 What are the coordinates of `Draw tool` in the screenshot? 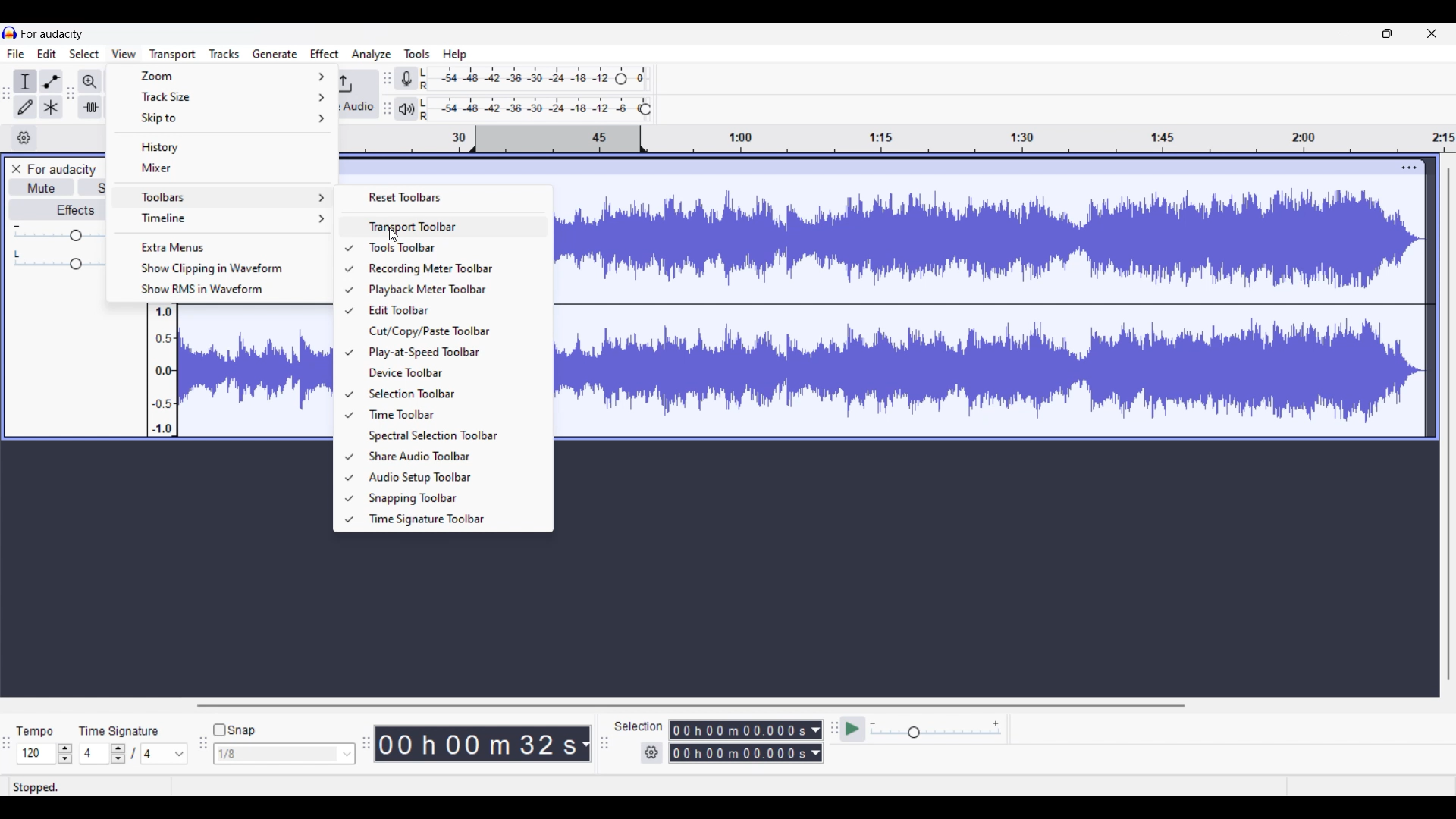 It's located at (26, 107).